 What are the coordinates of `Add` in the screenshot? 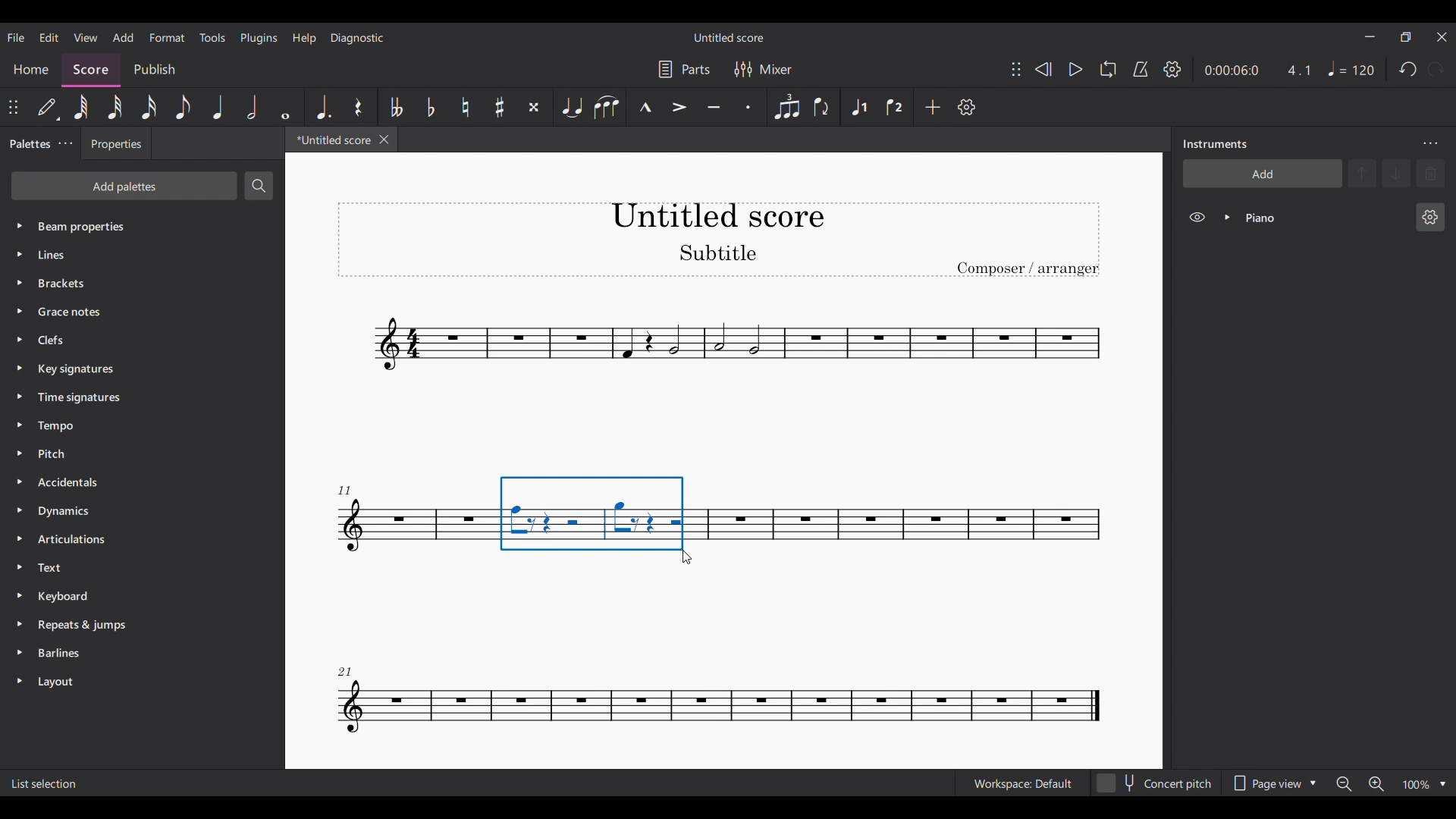 It's located at (933, 107).